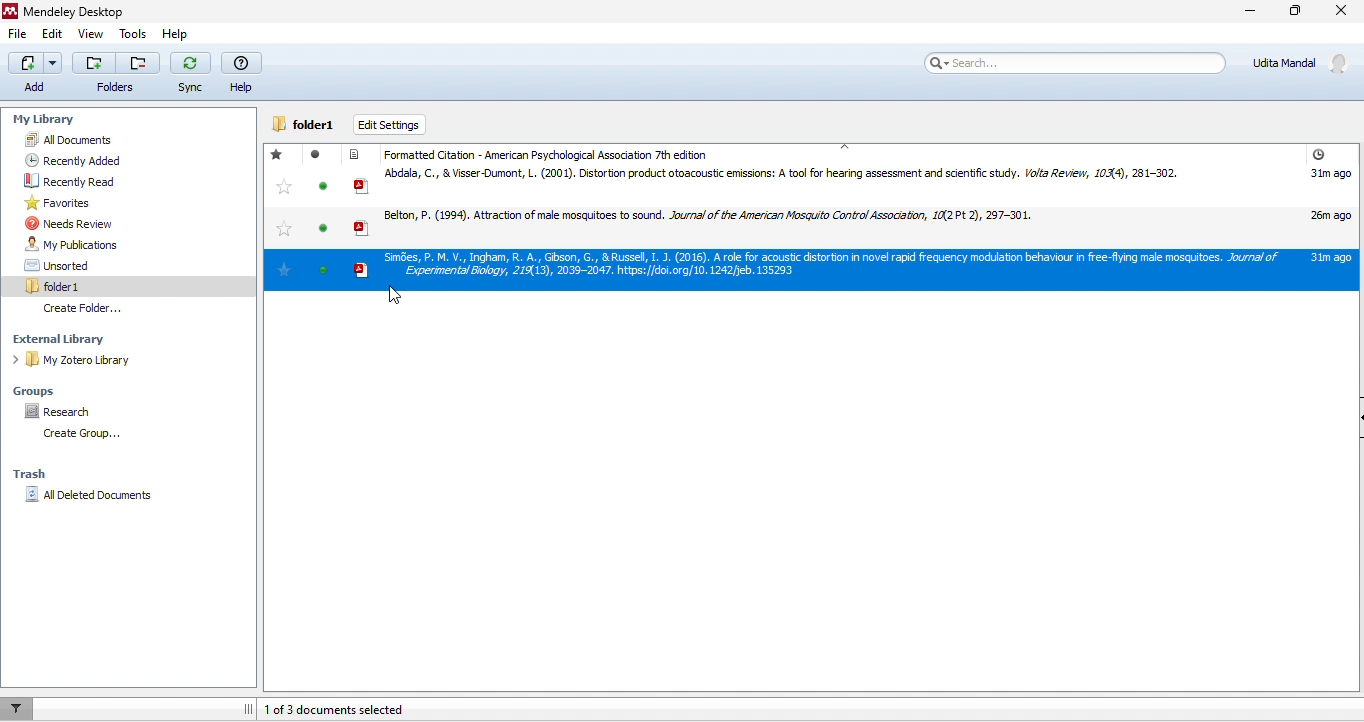 The width and height of the screenshot is (1364, 722). What do you see at coordinates (17, 34) in the screenshot?
I see `file` at bounding box center [17, 34].